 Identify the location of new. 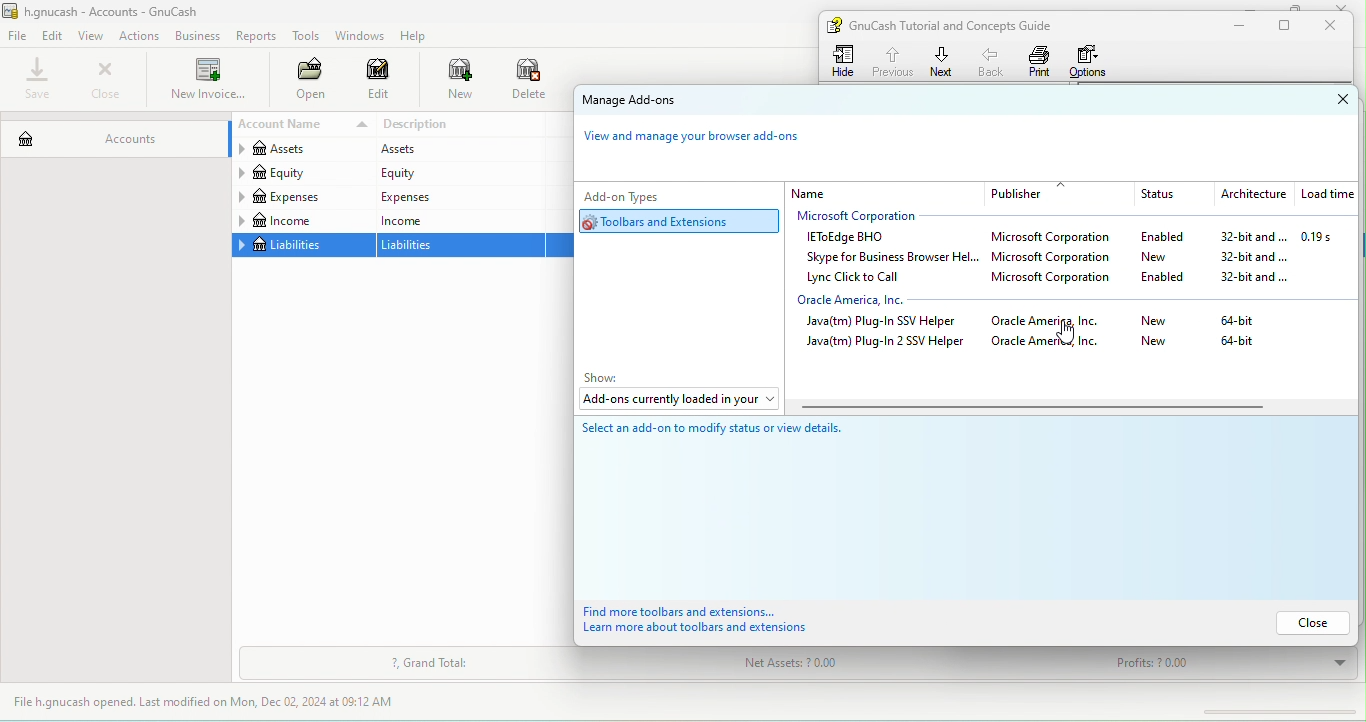
(1157, 342).